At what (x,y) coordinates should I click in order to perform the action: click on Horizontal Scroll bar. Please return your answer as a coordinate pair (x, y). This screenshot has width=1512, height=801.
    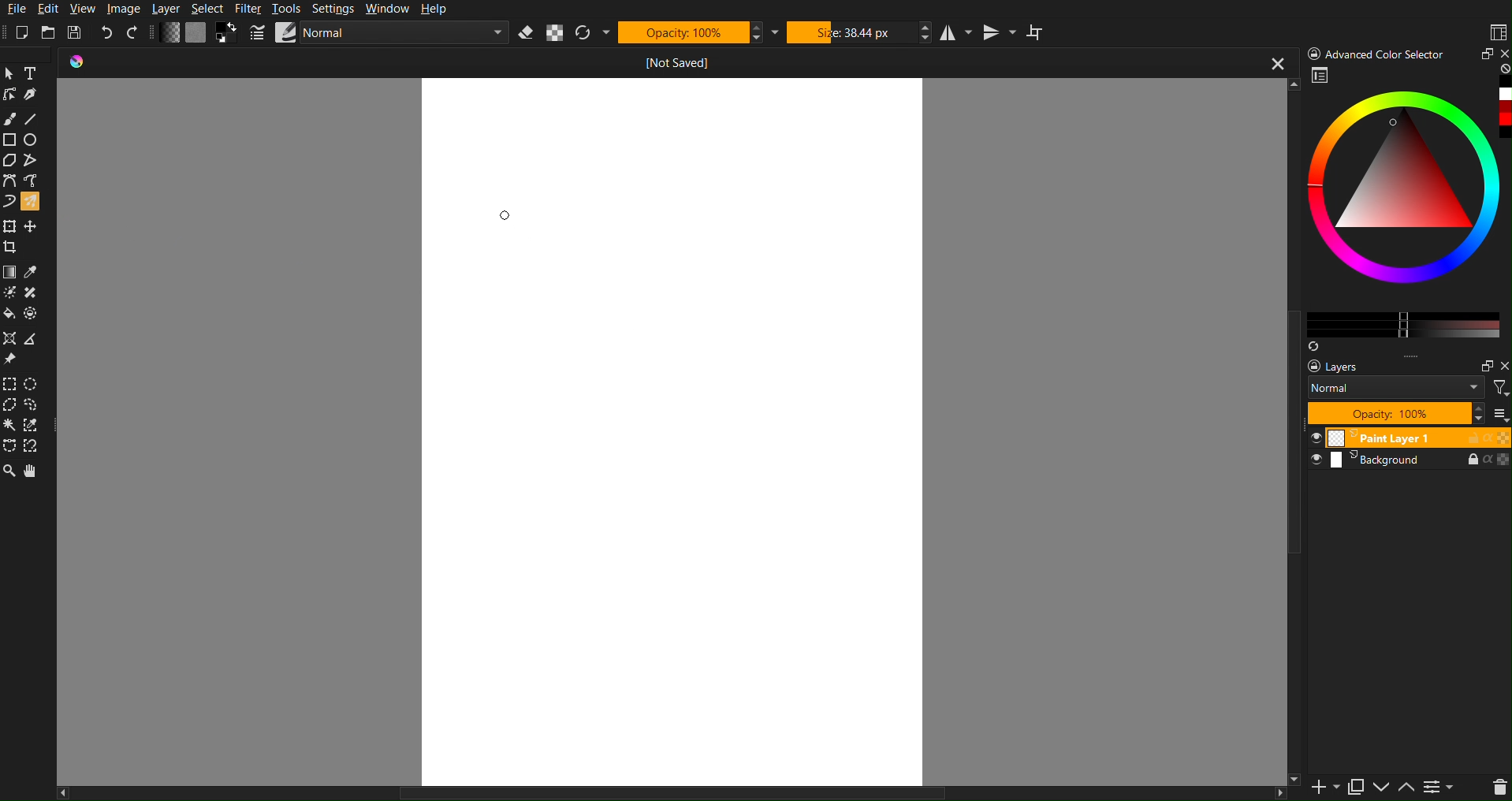
    Looking at the image, I should click on (644, 792).